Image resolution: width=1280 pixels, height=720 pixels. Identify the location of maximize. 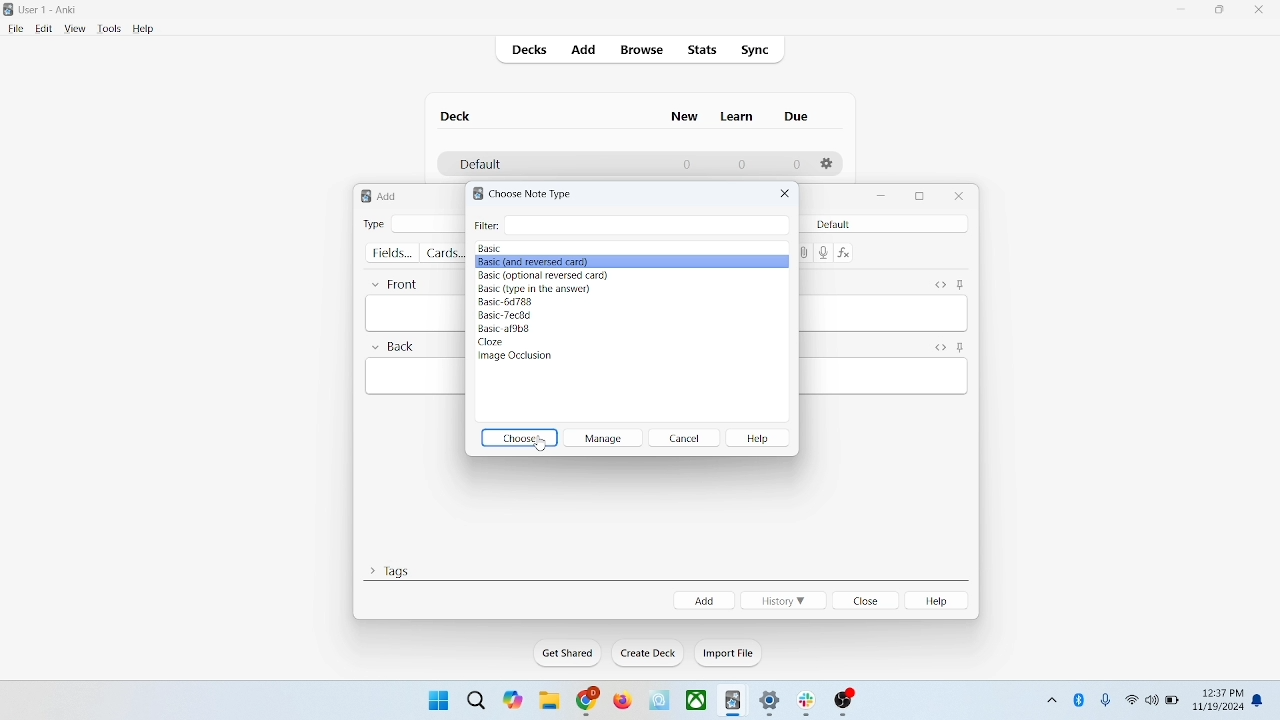
(1220, 13).